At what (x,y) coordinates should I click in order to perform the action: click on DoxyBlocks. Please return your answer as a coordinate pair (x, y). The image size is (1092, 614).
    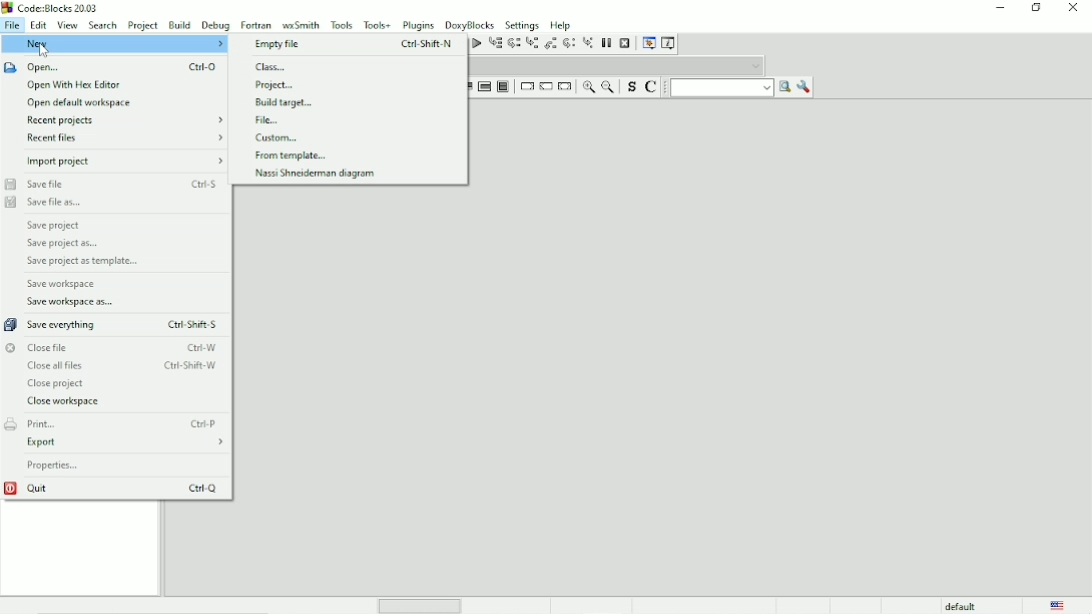
    Looking at the image, I should click on (470, 24).